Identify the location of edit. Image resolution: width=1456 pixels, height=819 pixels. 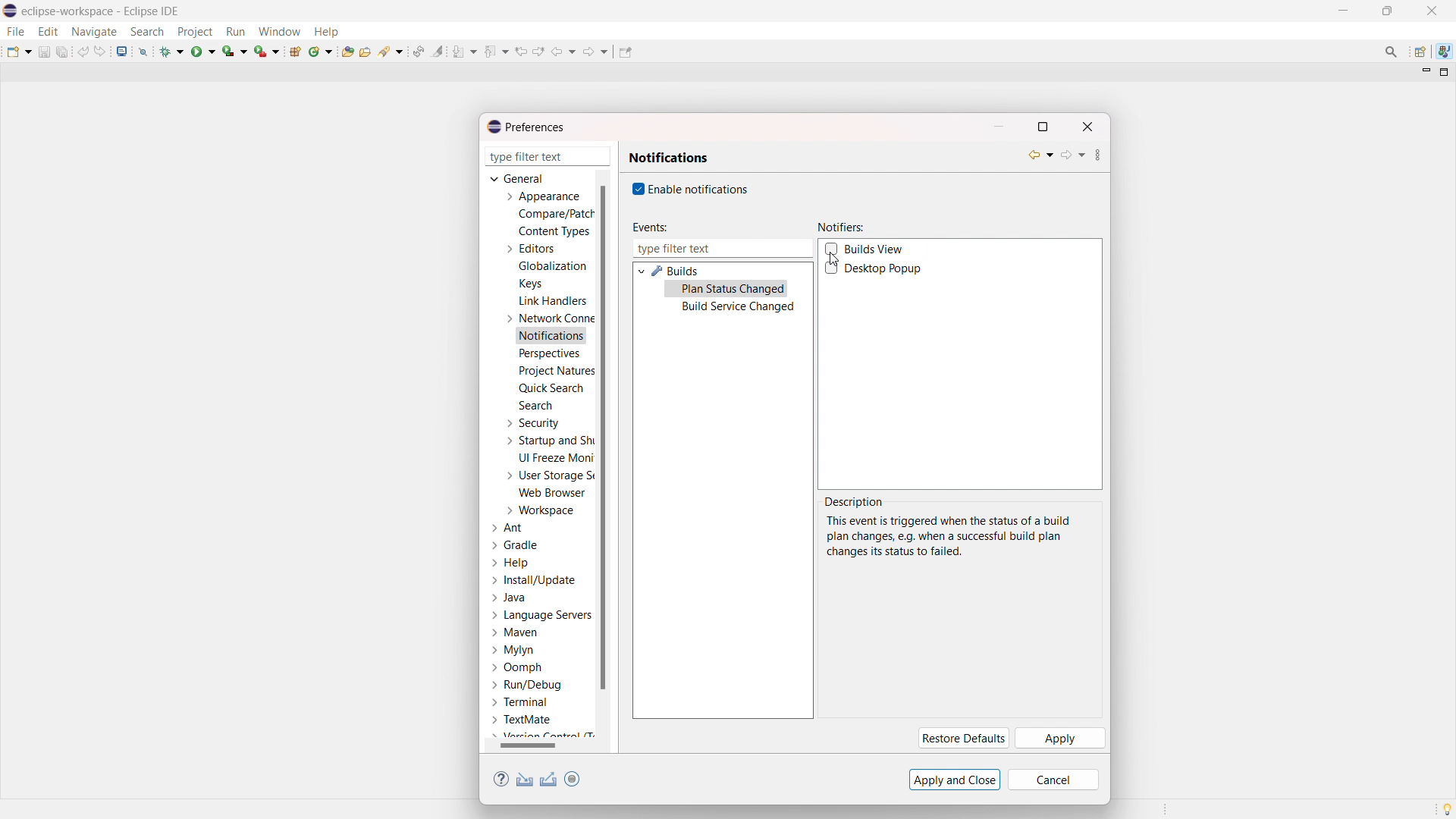
(47, 32).